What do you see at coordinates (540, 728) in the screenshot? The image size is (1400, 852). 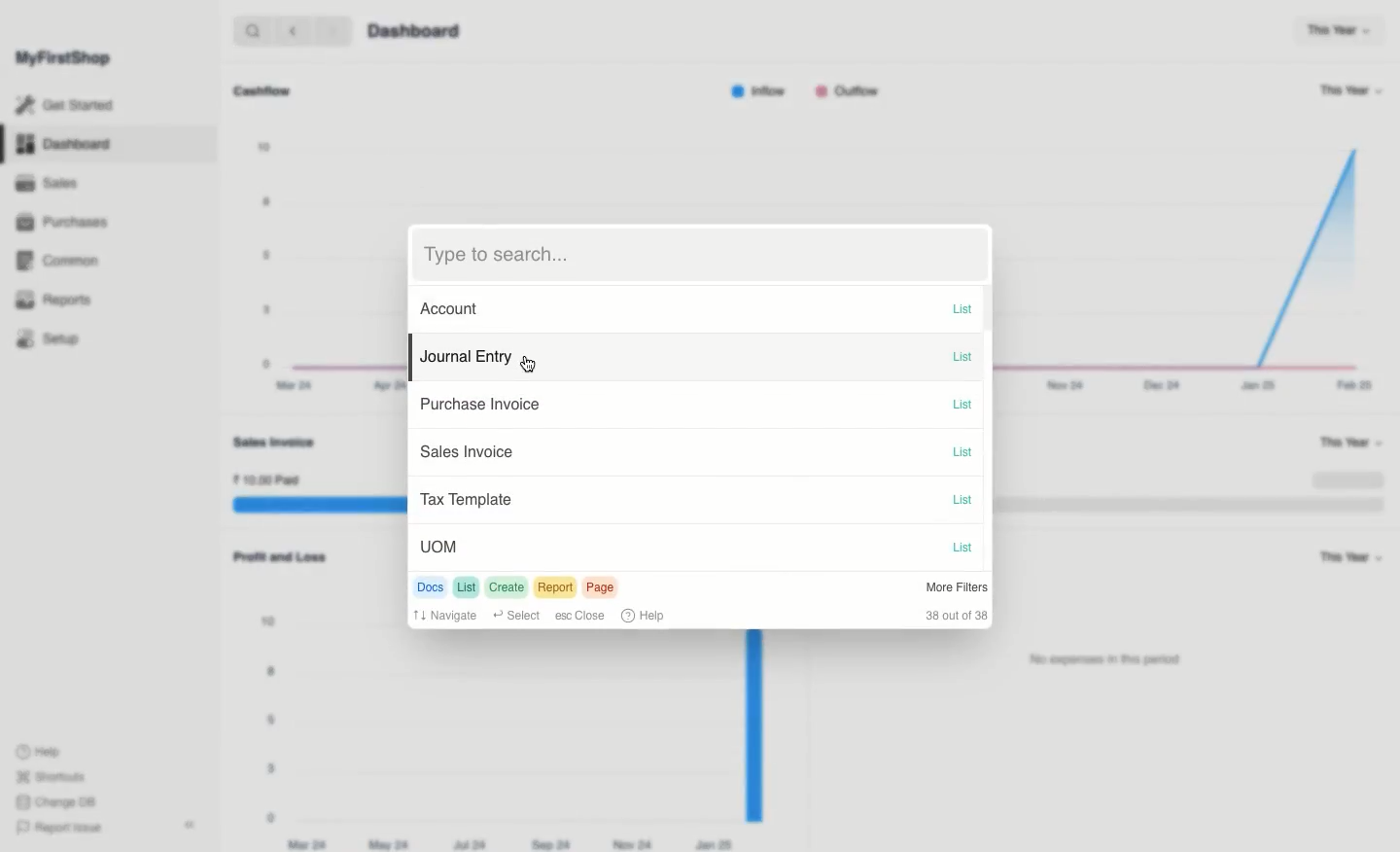 I see `Graph` at bounding box center [540, 728].